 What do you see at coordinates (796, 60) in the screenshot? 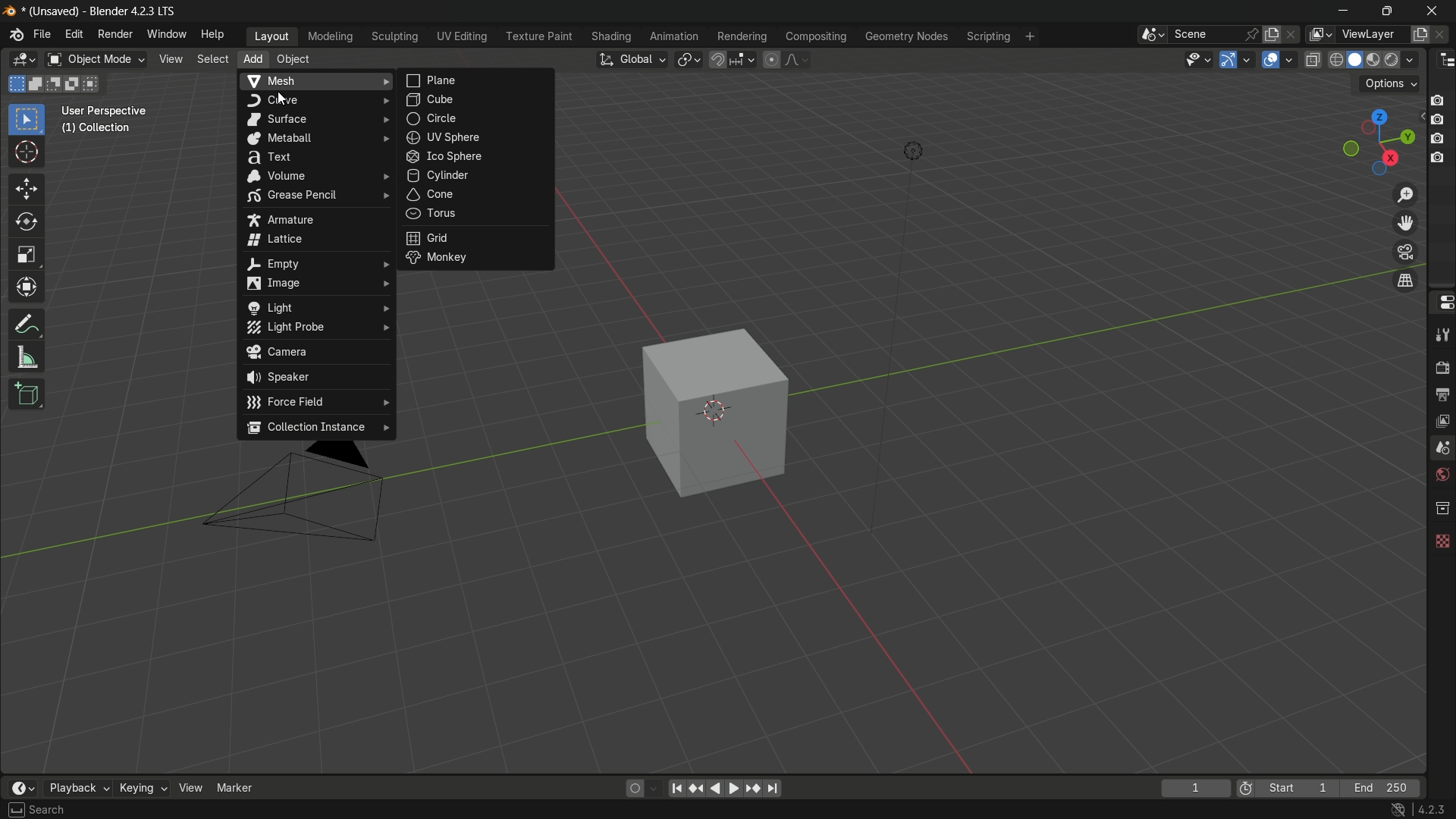
I see `proportional editing falloff` at bounding box center [796, 60].